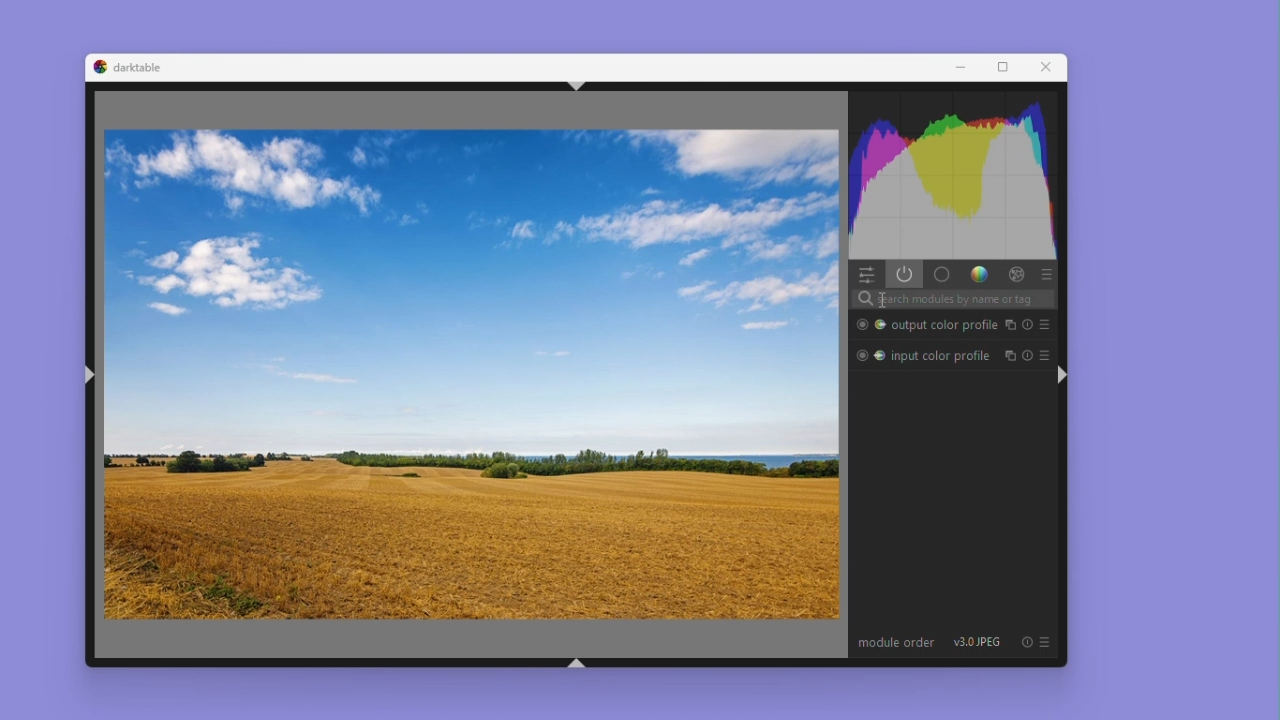 The image size is (1280, 720). What do you see at coordinates (905, 276) in the screenshot?
I see `Show only active models` at bounding box center [905, 276].